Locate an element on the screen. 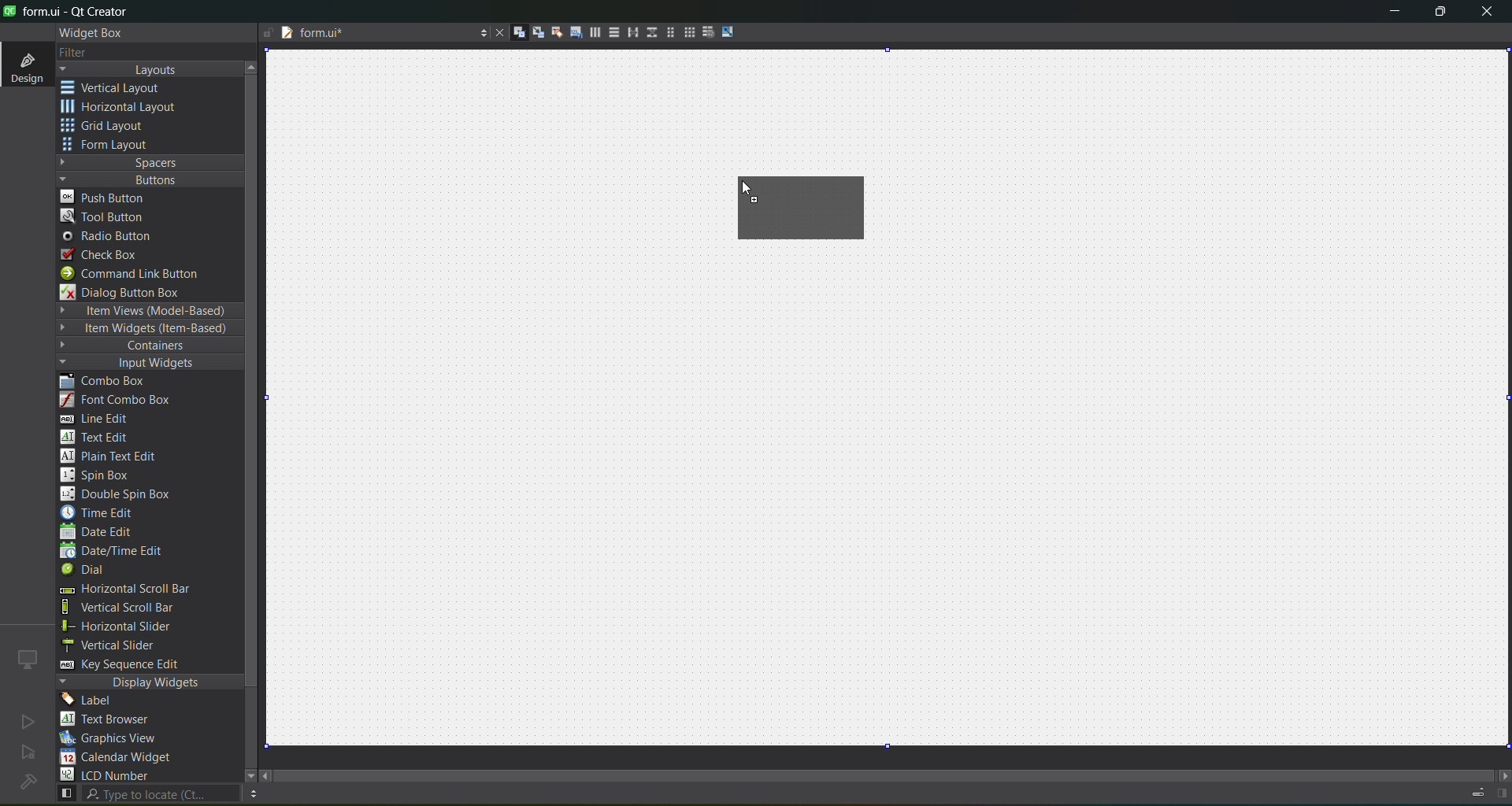 This screenshot has width=1512, height=806. layout vertically is located at coordinates (610, 31).